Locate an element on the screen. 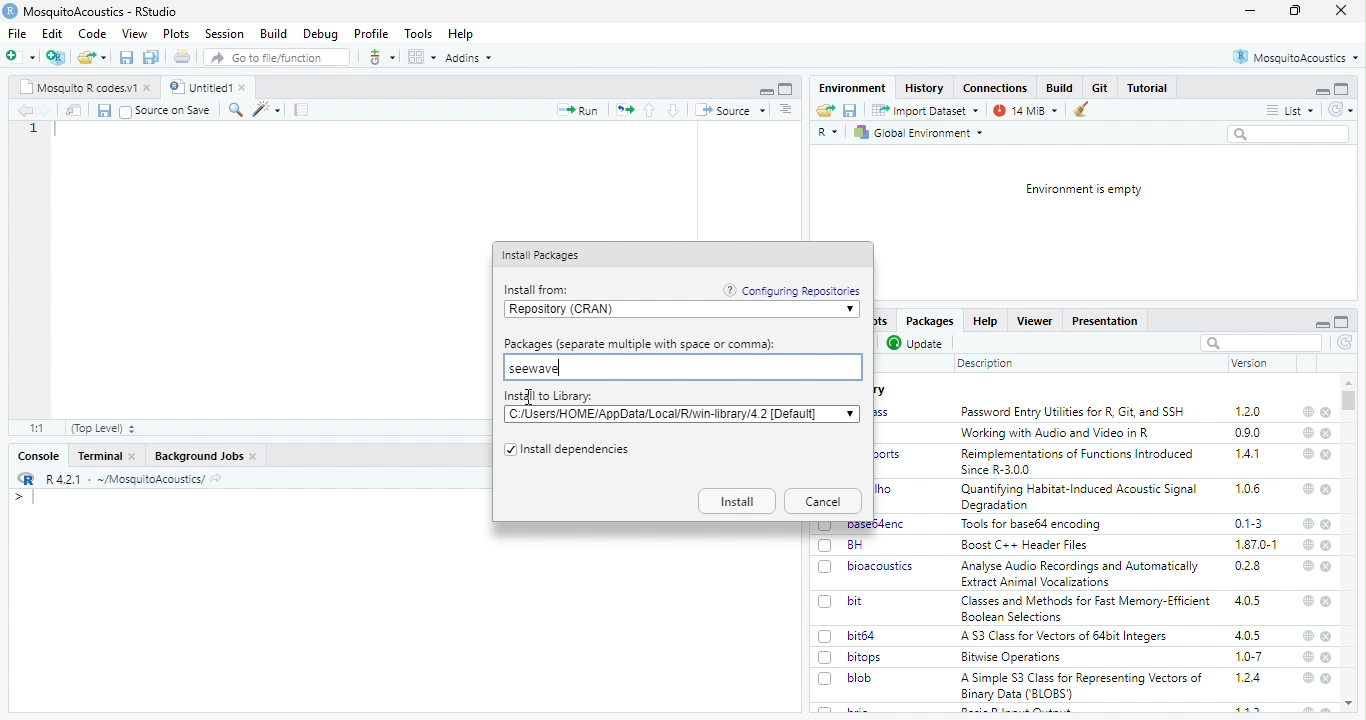 The width and height of the screenshot is (1366, 720). maximise is located at coordinates (1342, 322).